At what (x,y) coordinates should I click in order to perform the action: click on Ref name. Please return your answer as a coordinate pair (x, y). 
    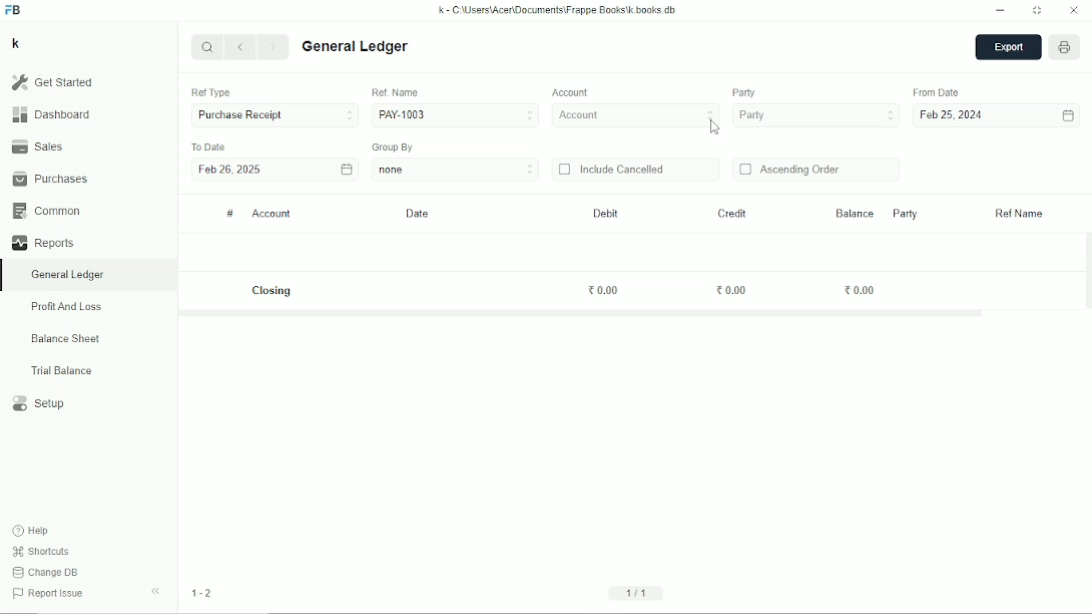
    Looking at the image, I should click on (1020, 214).